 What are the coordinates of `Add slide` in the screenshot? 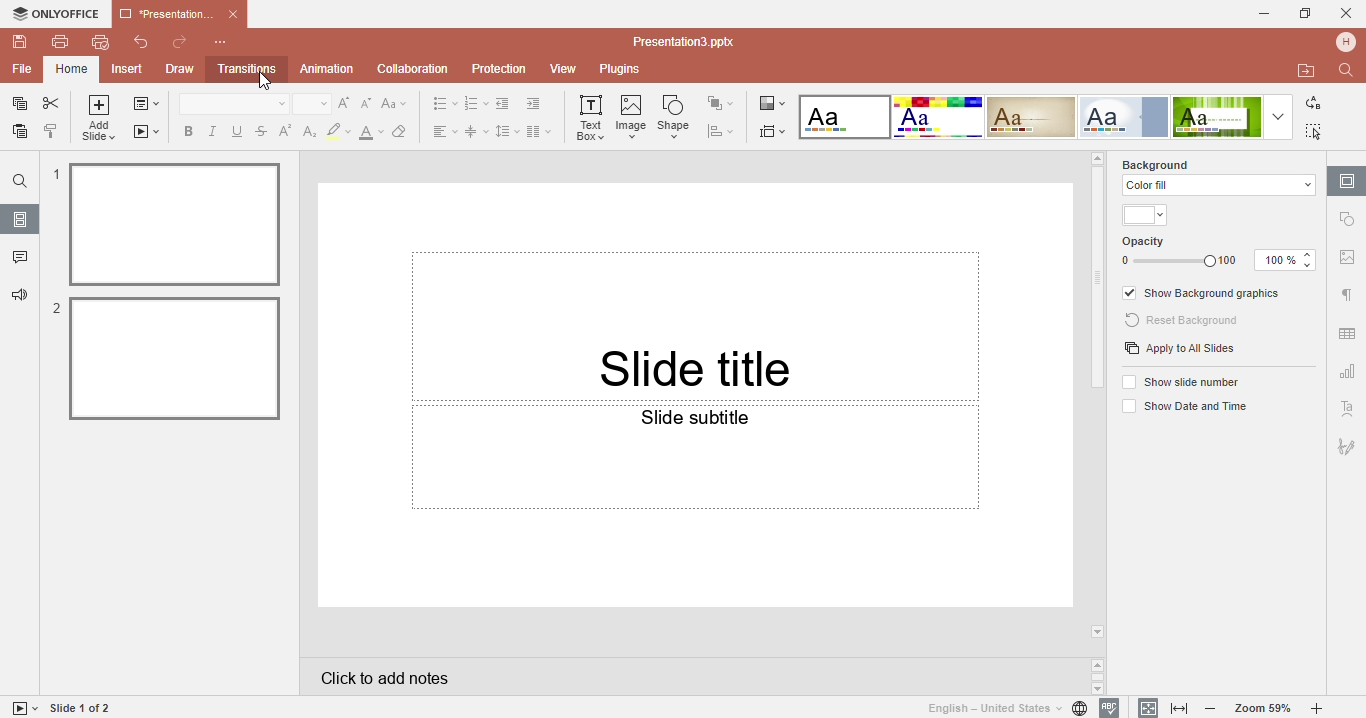 It's located at (100, 120).